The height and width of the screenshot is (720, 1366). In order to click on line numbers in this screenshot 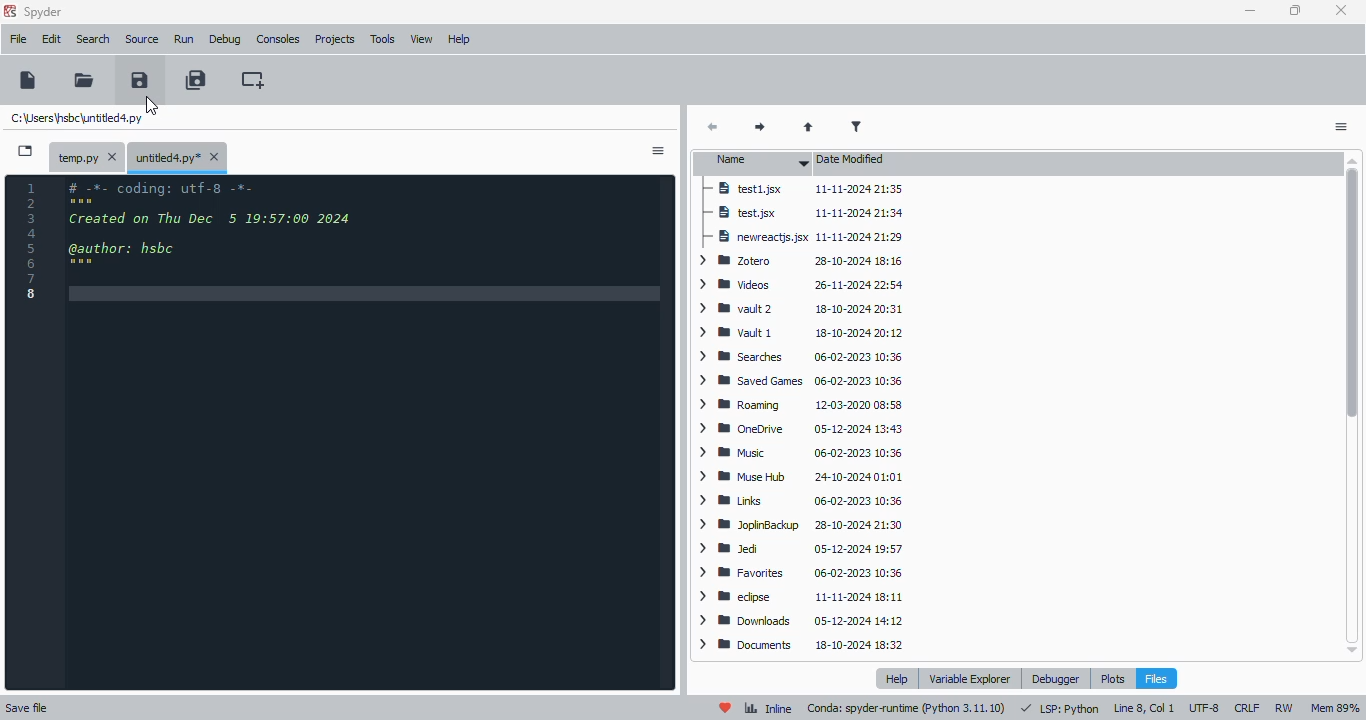, I will do `click(33, 240)`.